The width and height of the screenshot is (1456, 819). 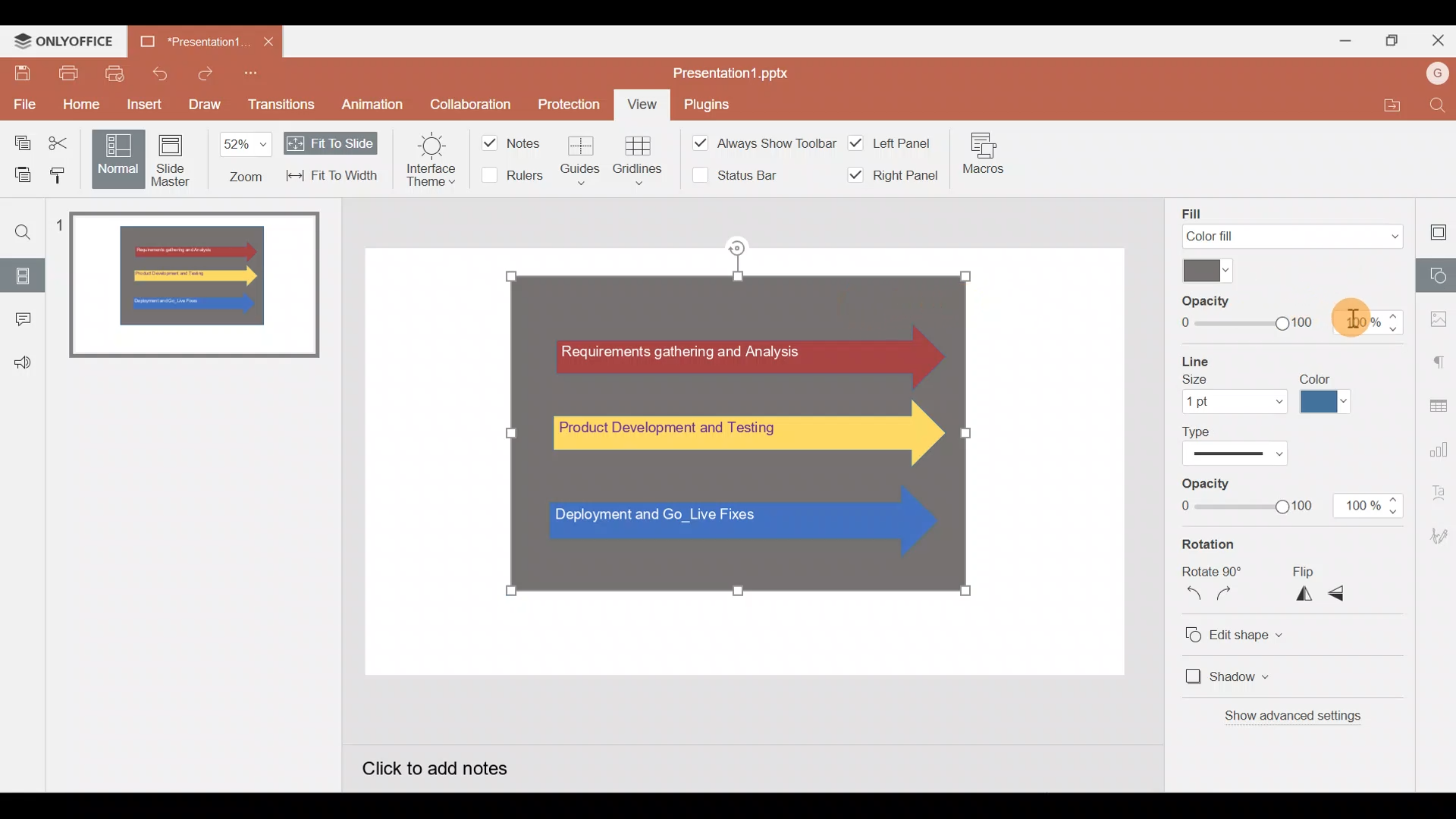 I want to click on Opacity level slider, so click(x=1244, y=497).